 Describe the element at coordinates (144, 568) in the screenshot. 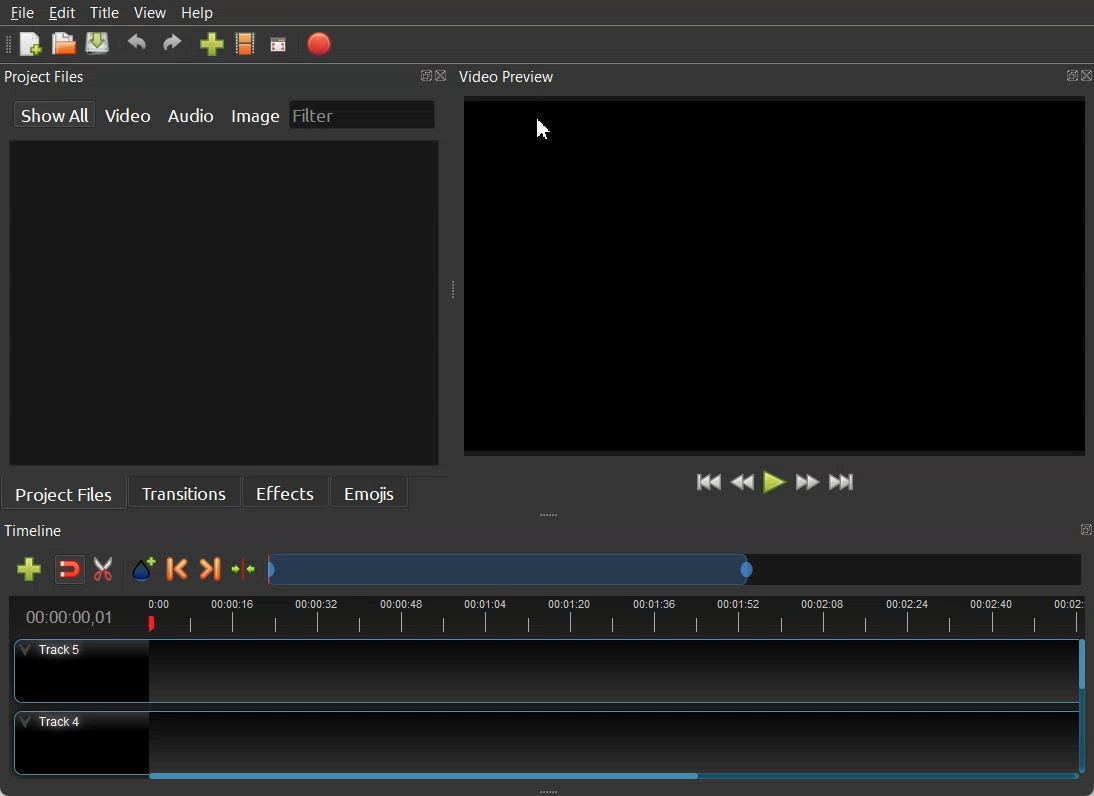

I see `Add Marker` at that location.